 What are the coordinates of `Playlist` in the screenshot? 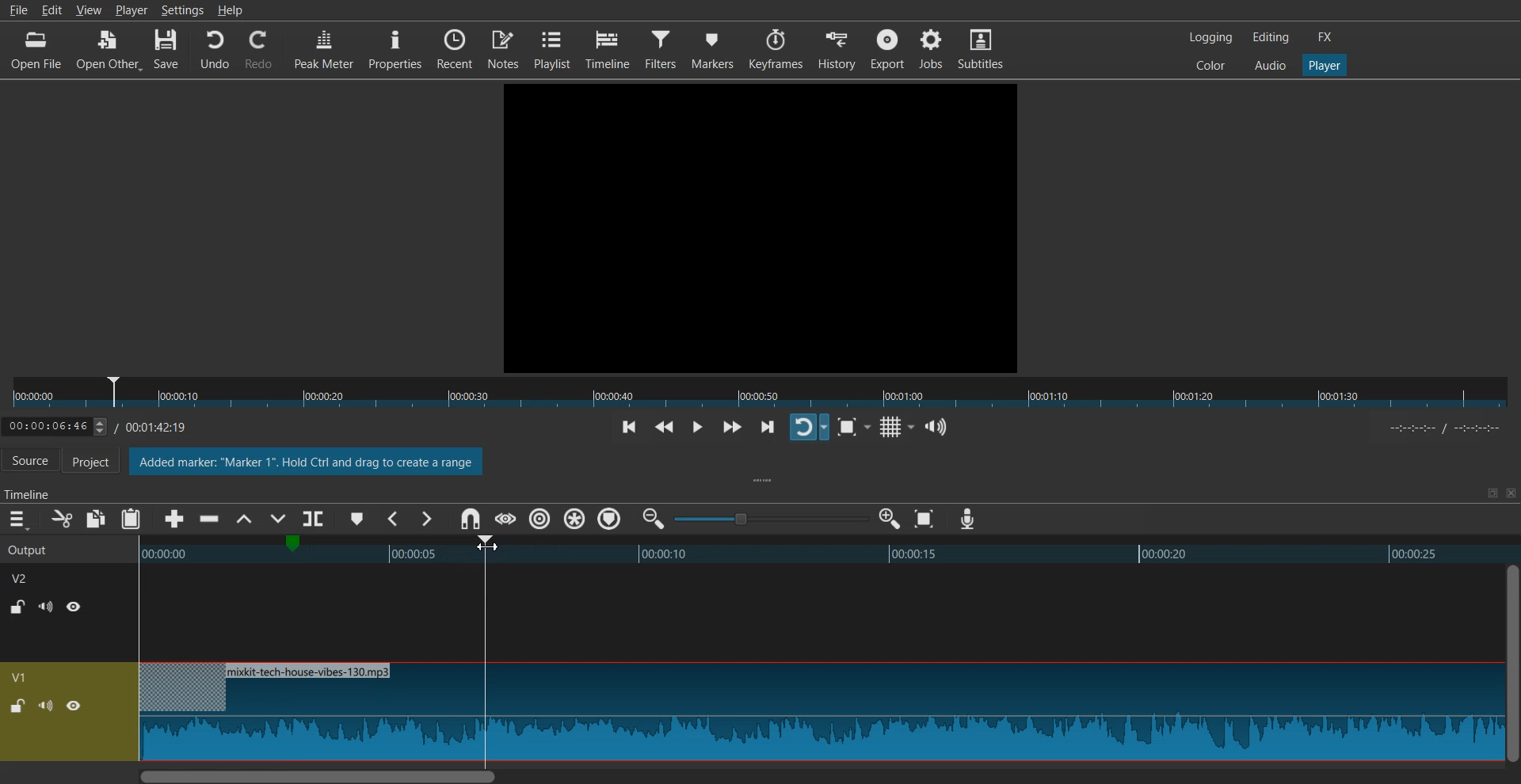 It's located at (552, 48).